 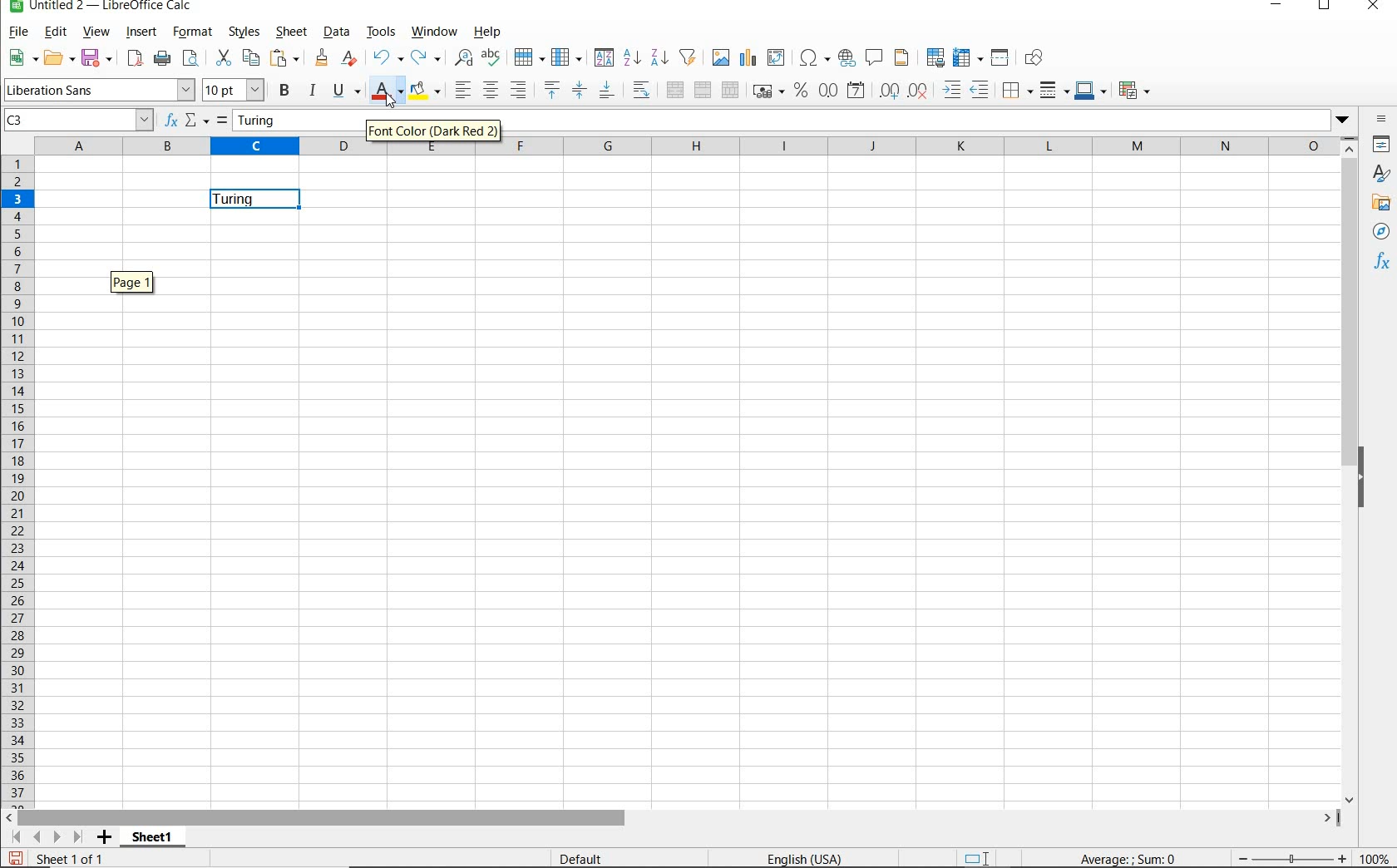 I want to click on FILE, so click(x=19, y=33).